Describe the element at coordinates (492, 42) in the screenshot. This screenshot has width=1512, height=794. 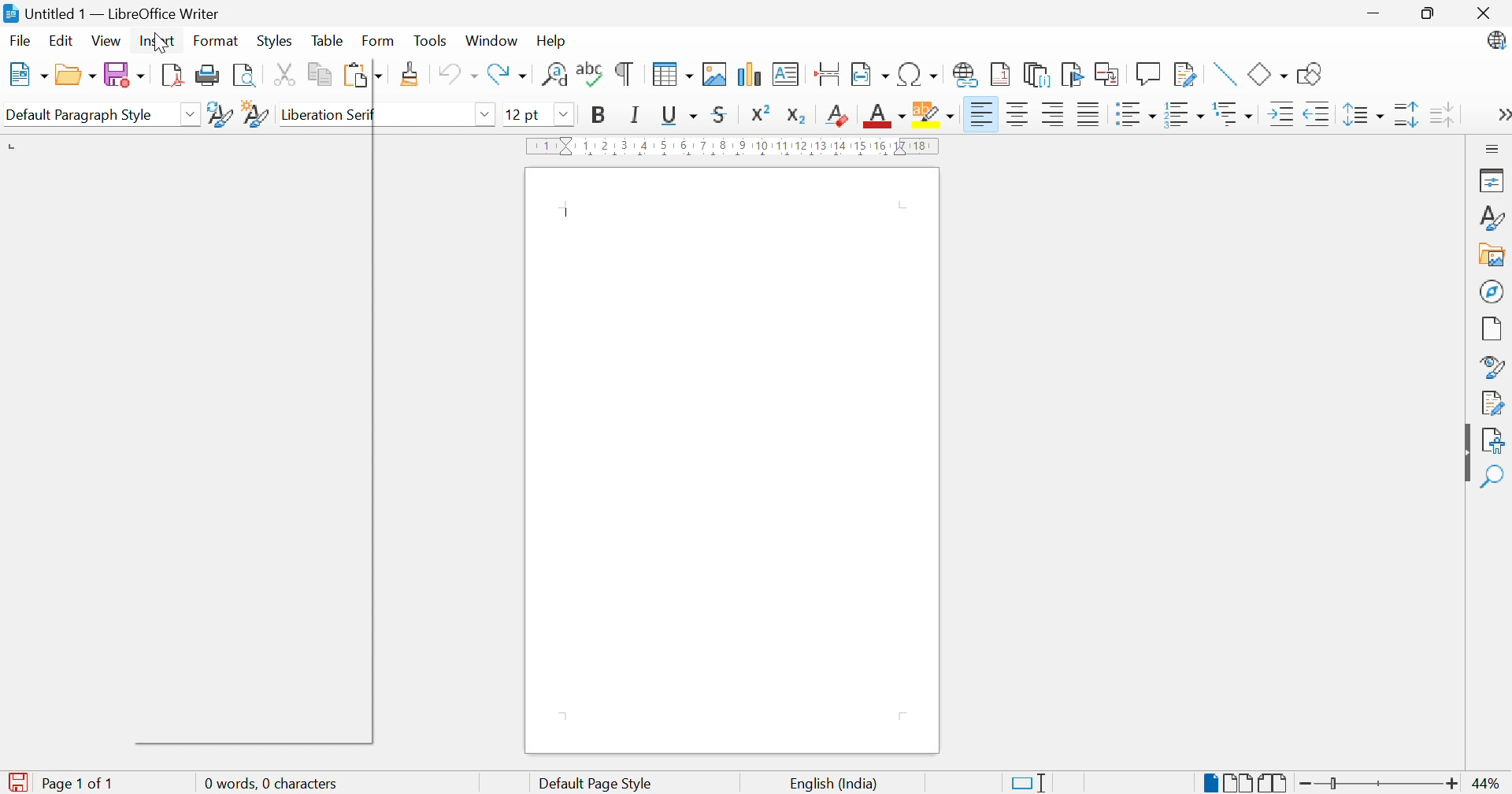
I see `Windows` at that location.